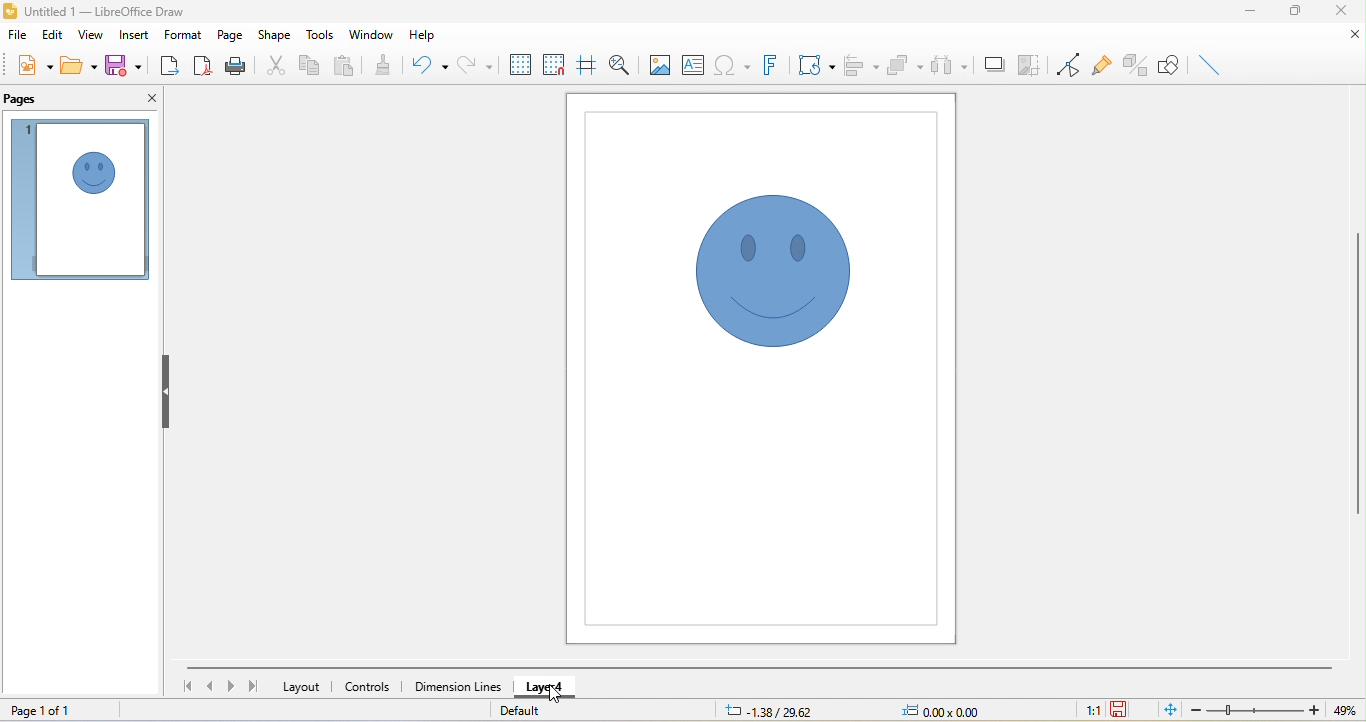  Describe the element at coordinates (236, 65) in the screenshot. I see `print` at that location.